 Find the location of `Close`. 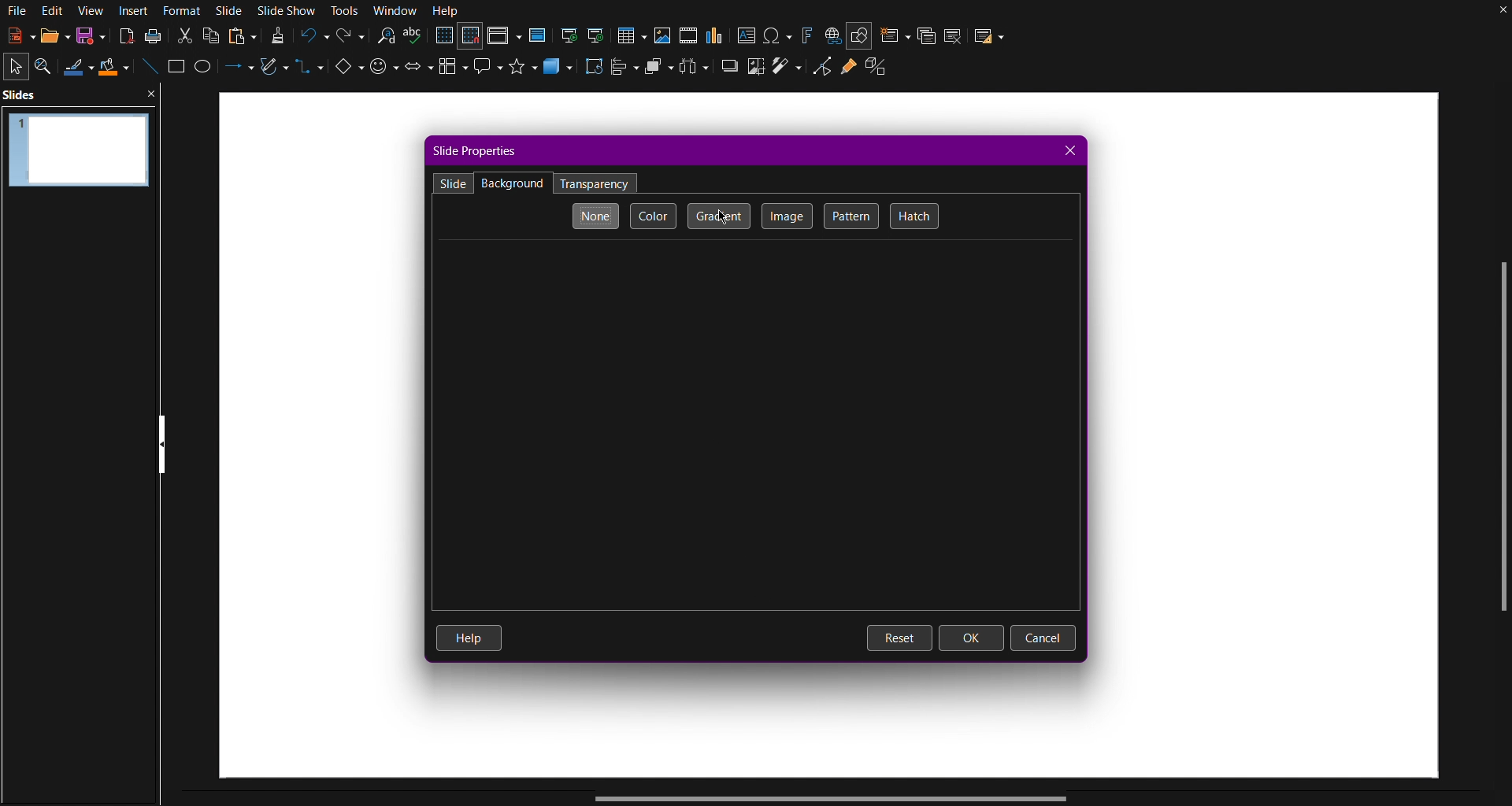

Close is located at coordinates (1071, 150).